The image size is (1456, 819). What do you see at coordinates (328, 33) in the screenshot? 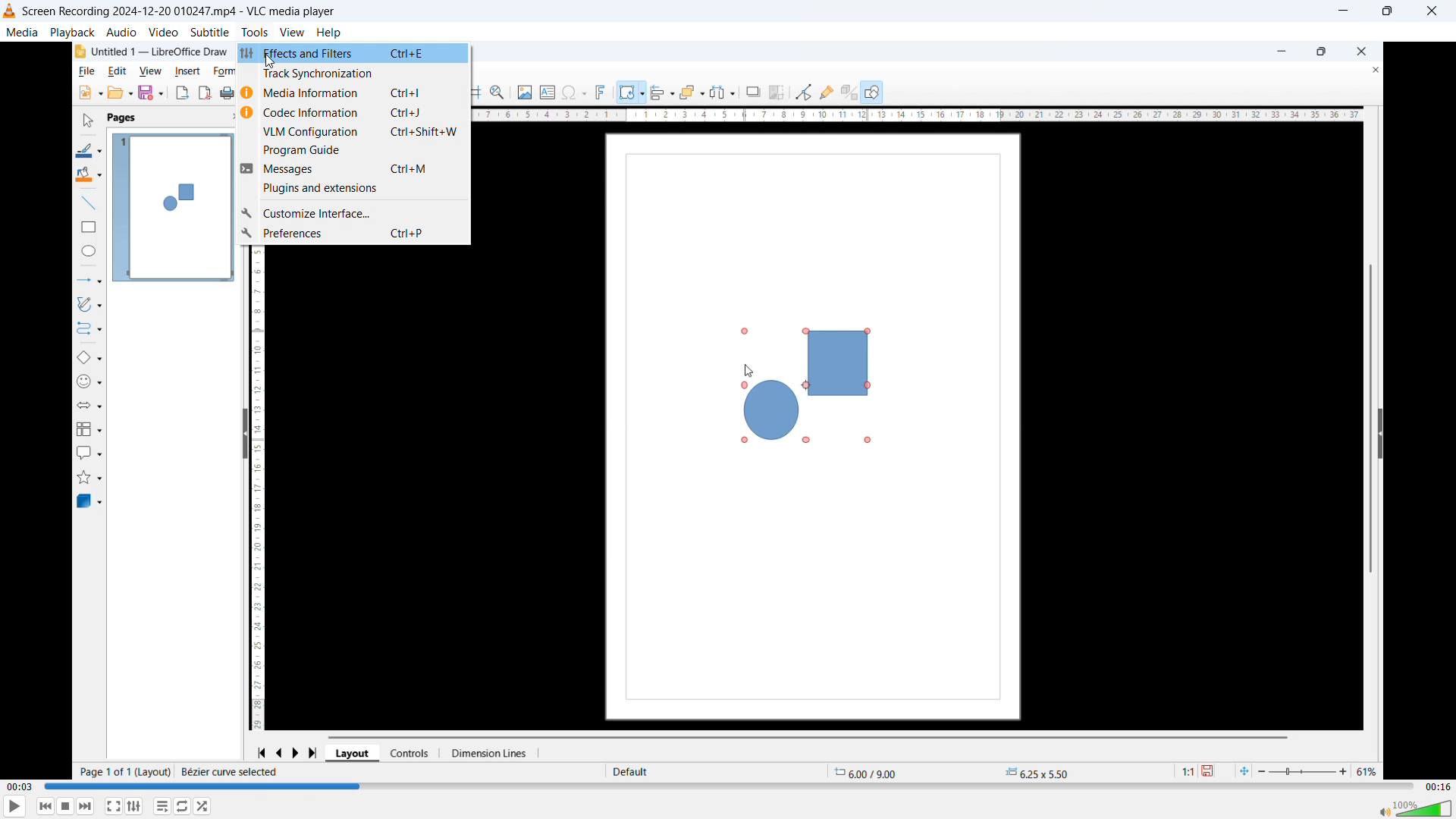
I see `help` at bounding box center [328, 33].